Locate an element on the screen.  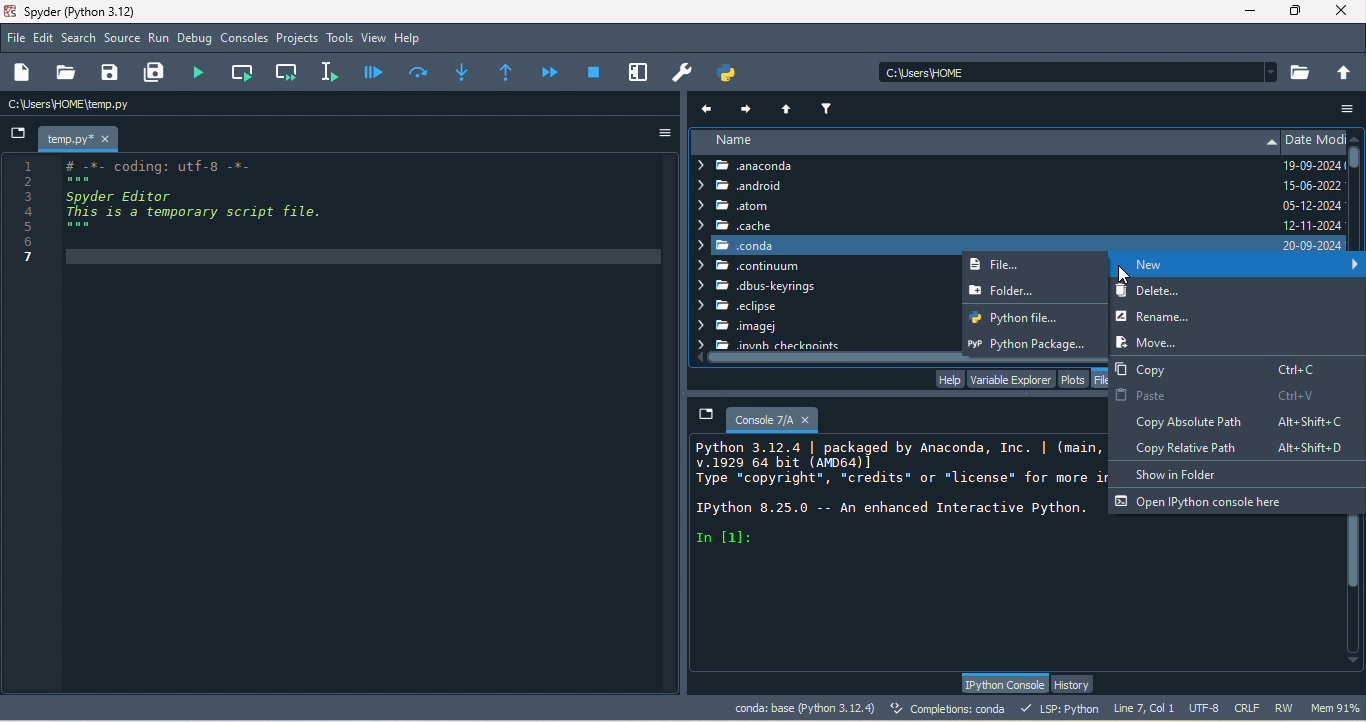
coding is located at coordinates (181, 215).